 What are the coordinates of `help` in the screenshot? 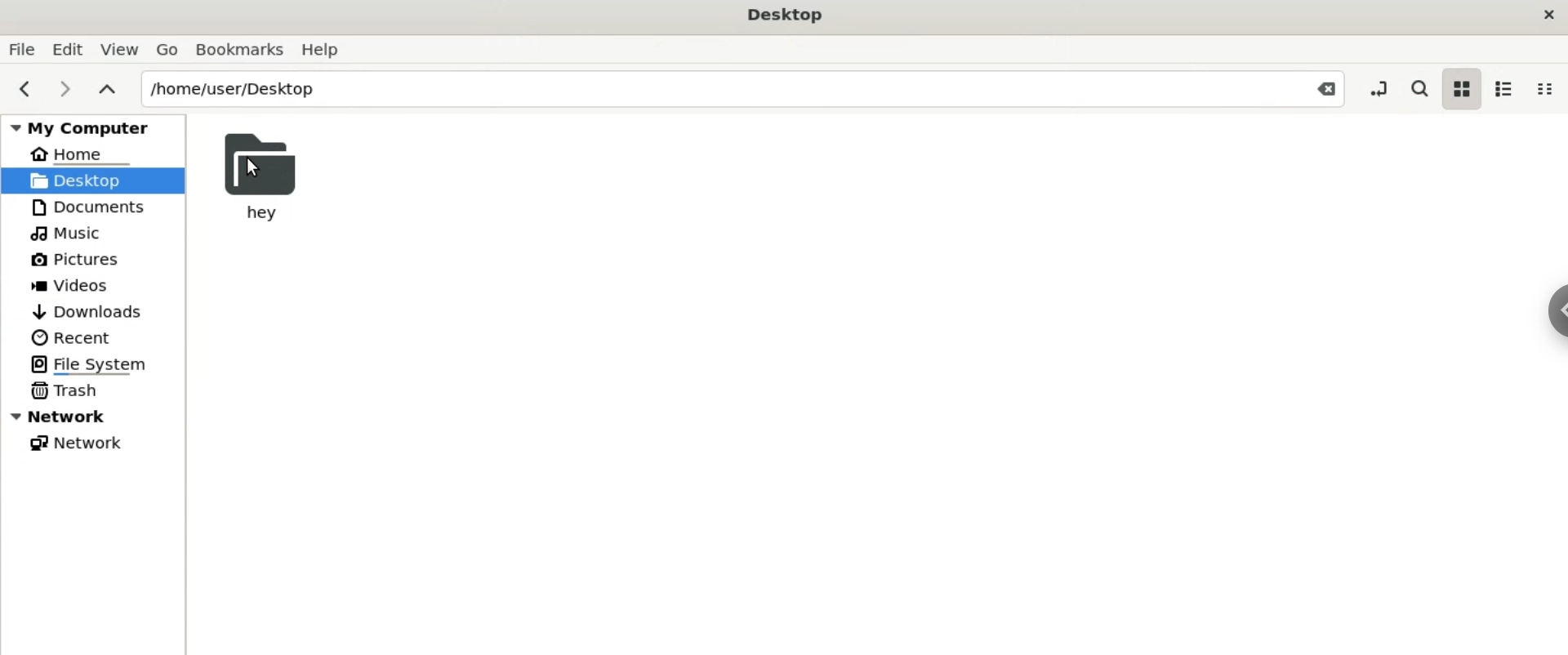 It's located at (325, 51).